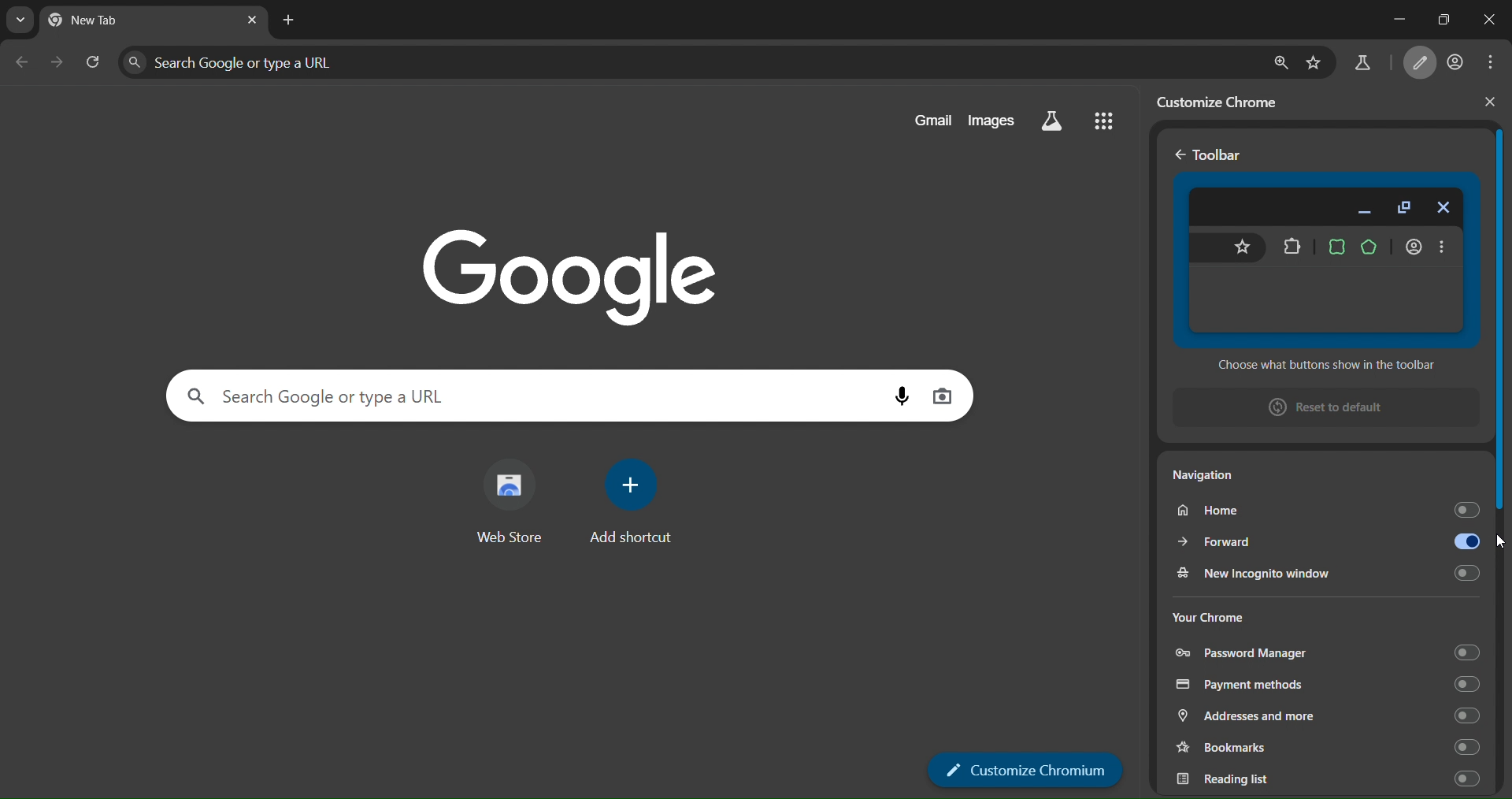 The height and width of the screenshot is (799, 1512). Describe the element at coordinates (1325, 747) in the screenshot. I see `bookmarks` at that location.